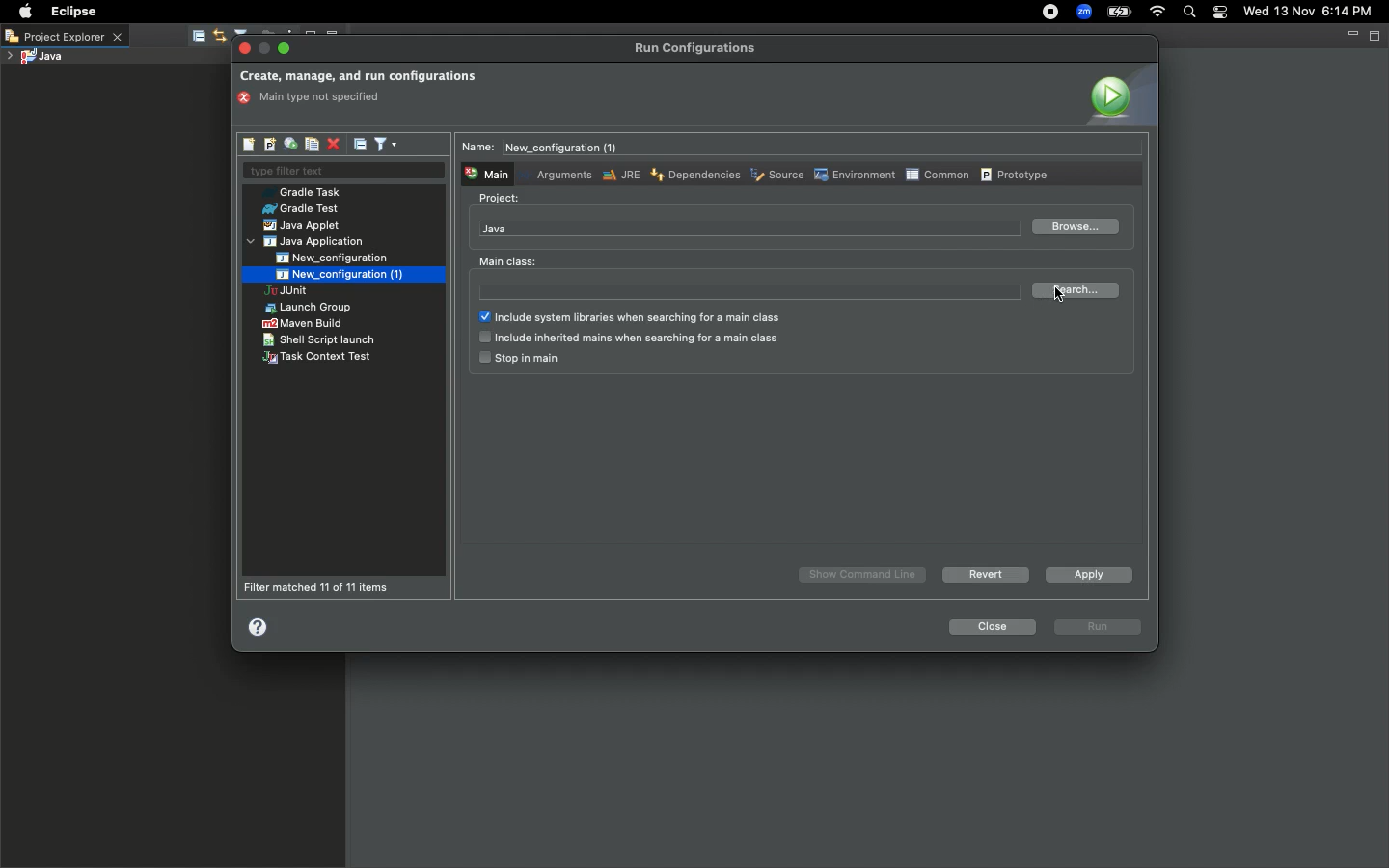 The image size is (1389, 868). Describe the element at coordinates (286, 48) in the screenshot. I see `Maximize` at that location.